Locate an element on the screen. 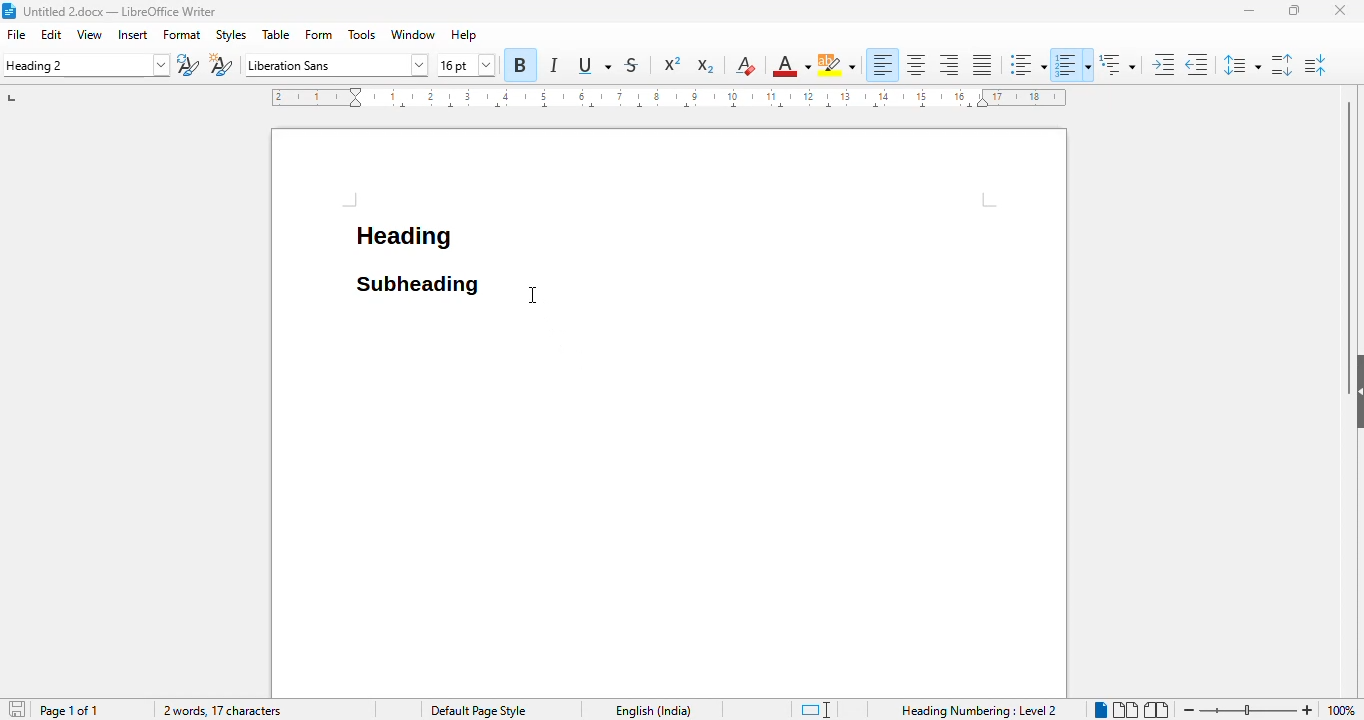 This screenshot has height=720, width=1364. format is located at coordinates (182, 35).